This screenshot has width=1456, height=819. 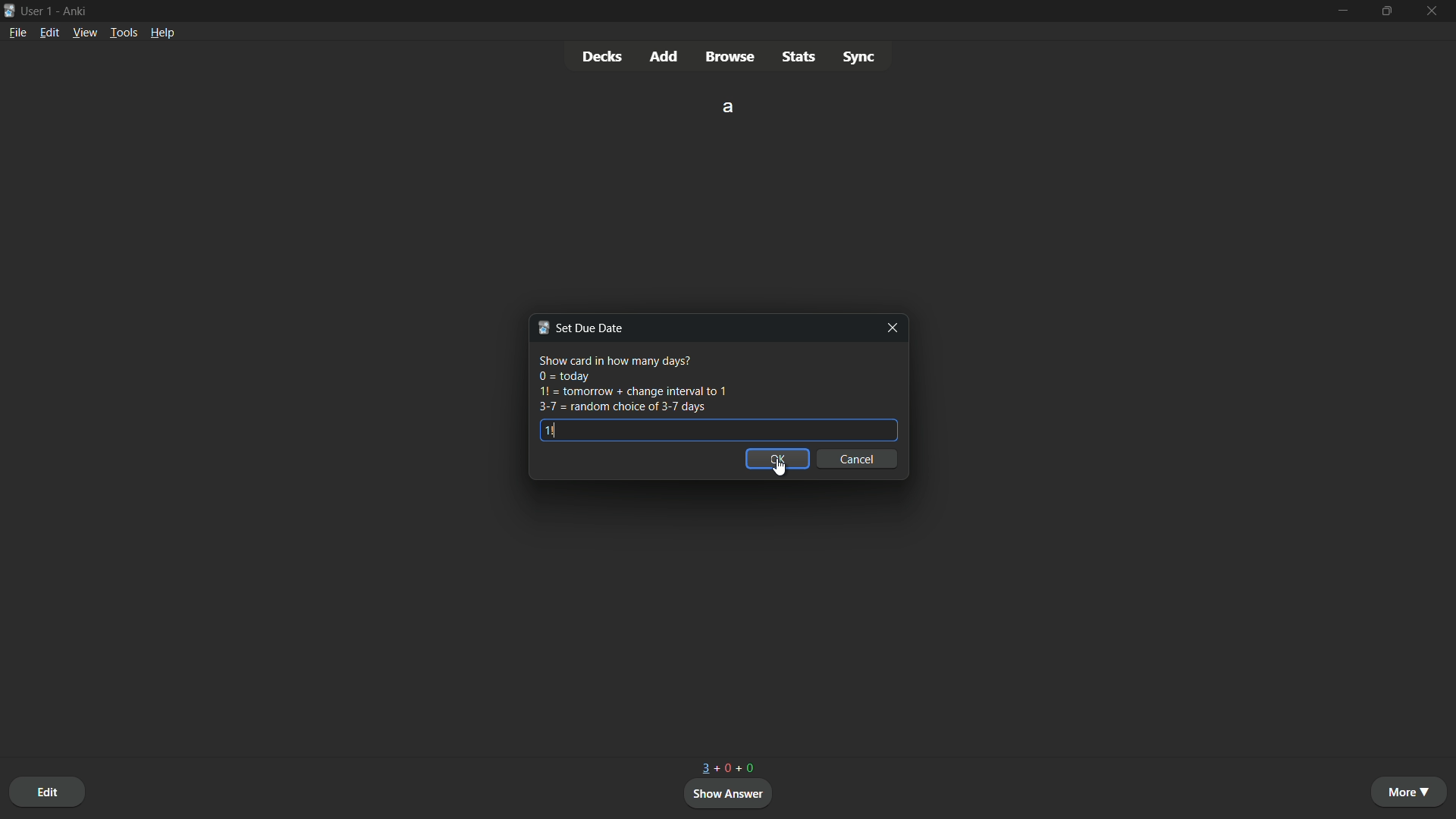 I want to click on view menu, so click(x=85, y=33).